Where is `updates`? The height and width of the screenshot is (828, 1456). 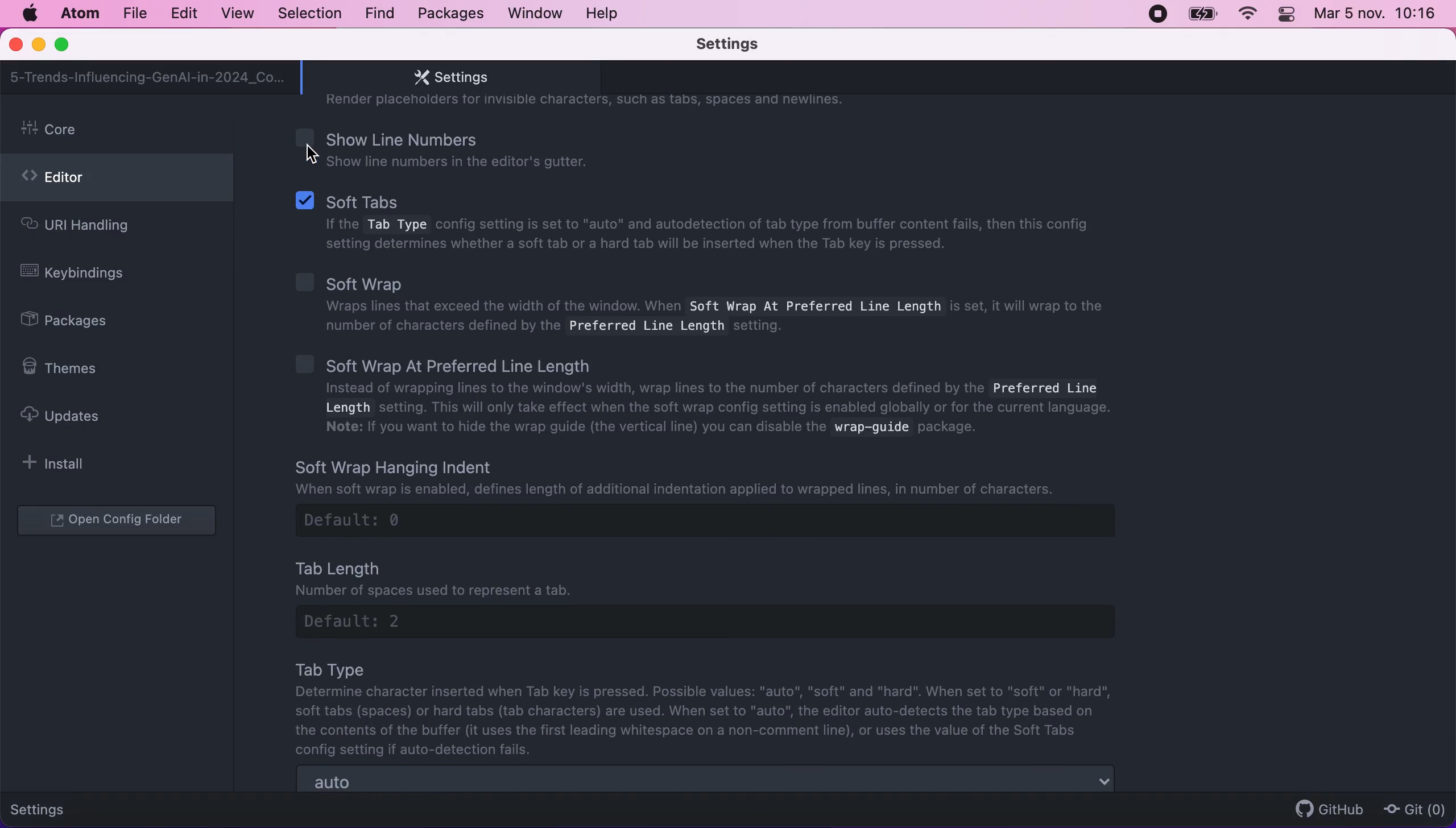 updates is located at coordinates (71, 415).